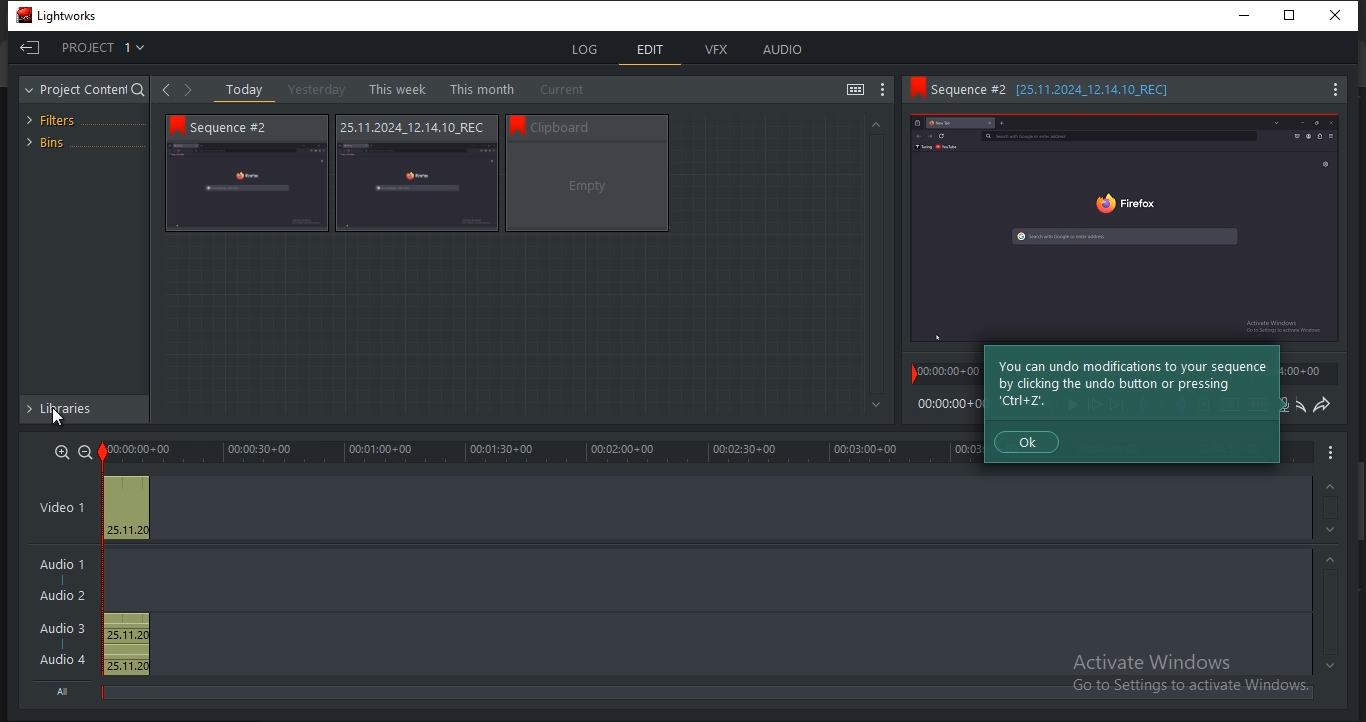 This screenshot has height=722, width=1366. Describe the element at coordinates (242, 127) in the screenshot. I see `Sequence # 2` at that location.